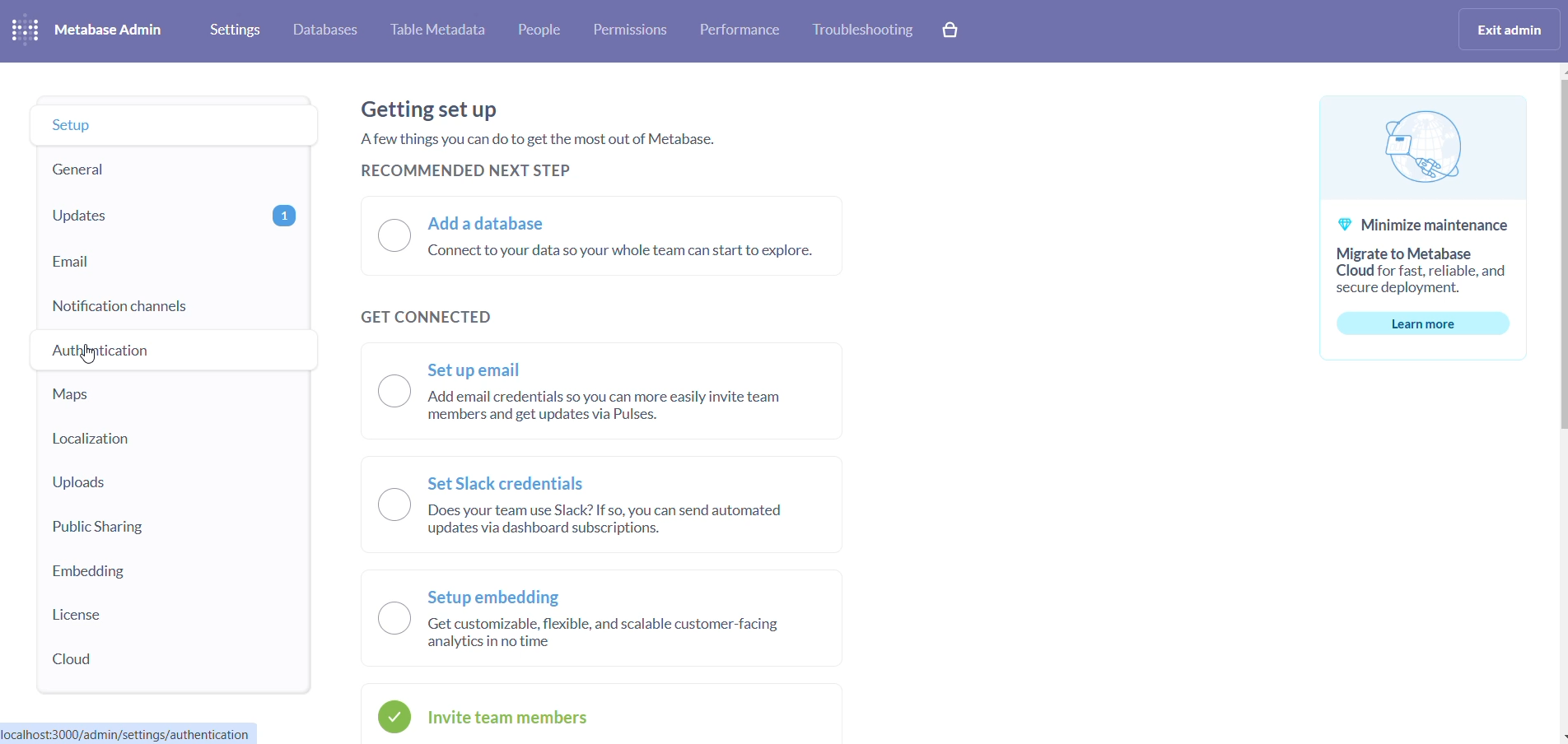  Describe the element at coordinates (548, 137) in the screenshot. I see `Getting set up
Afew things you can do to get the most out of Metabase.
RECOMMENDED NEXT STEP` at that location.